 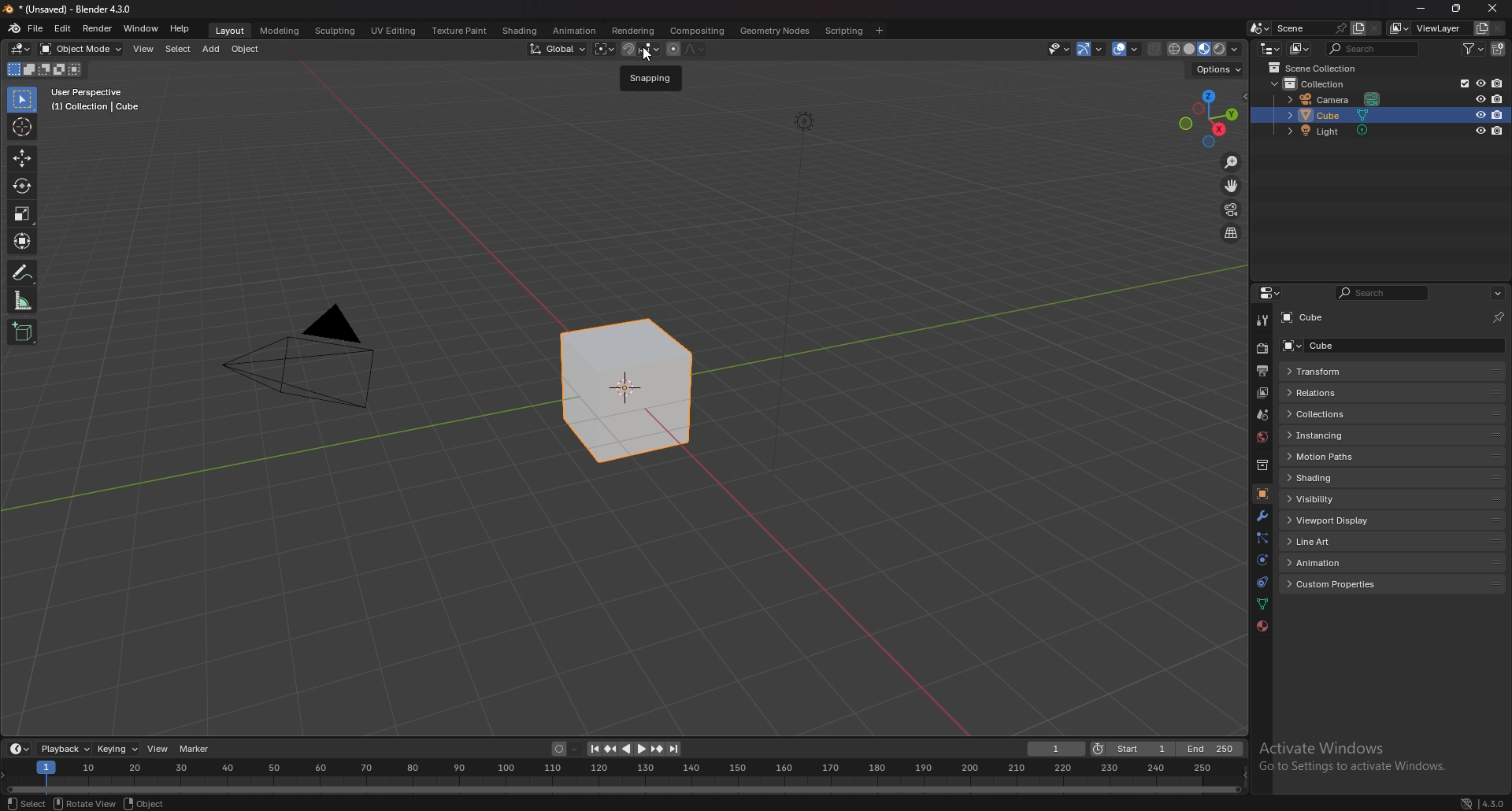 What do you see at coordinates (1473, 48) in the screenshot?
I see `filter` at bounding box center [1473, 48].